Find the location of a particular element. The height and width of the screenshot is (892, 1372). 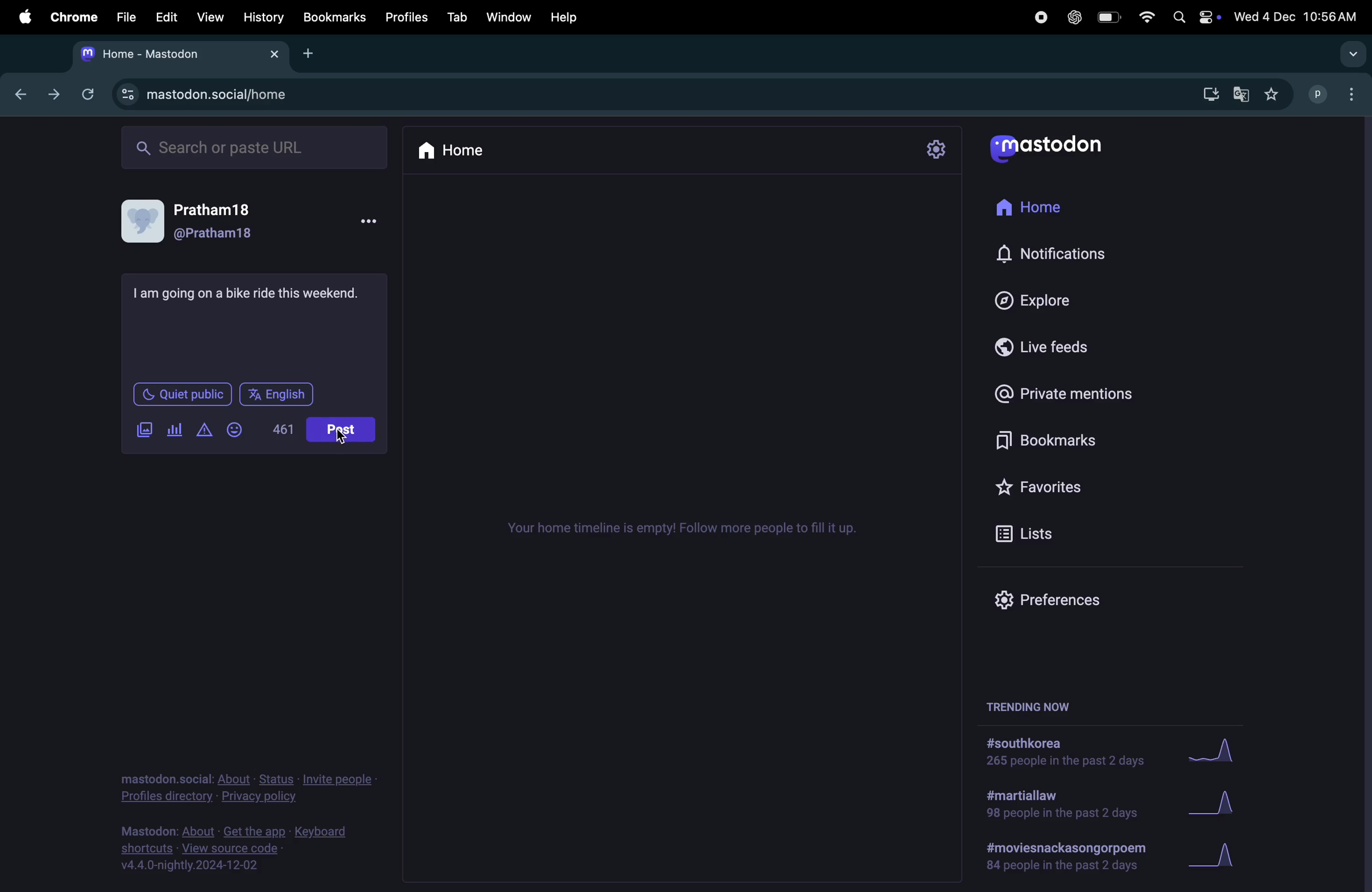

refresh is located at coordinates (91, 92).